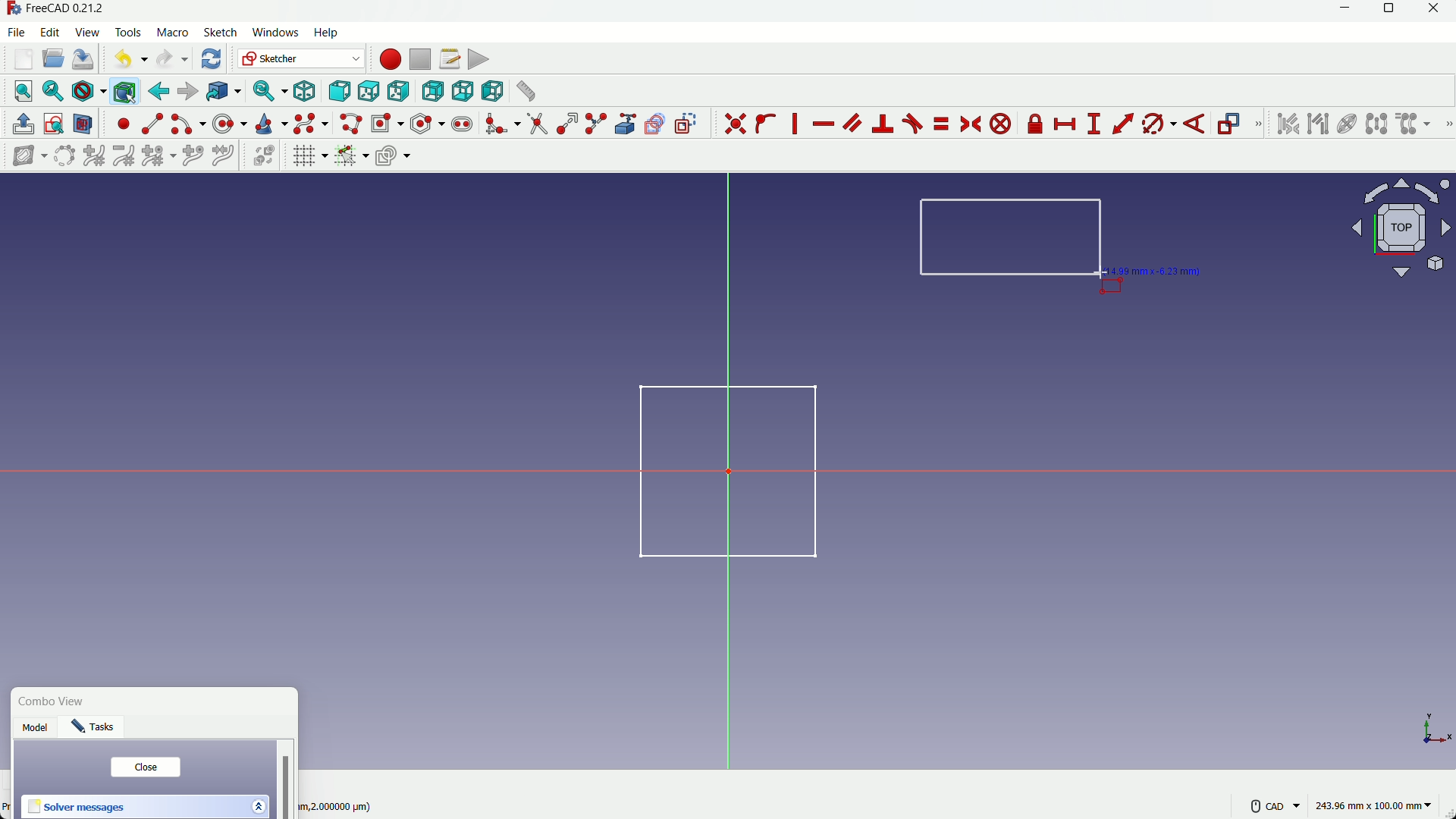 The height and width of the screenshot is (819, 1456). Describe the element at coordinates (331, 33) in the screenshot. I see `help menu` at that location.